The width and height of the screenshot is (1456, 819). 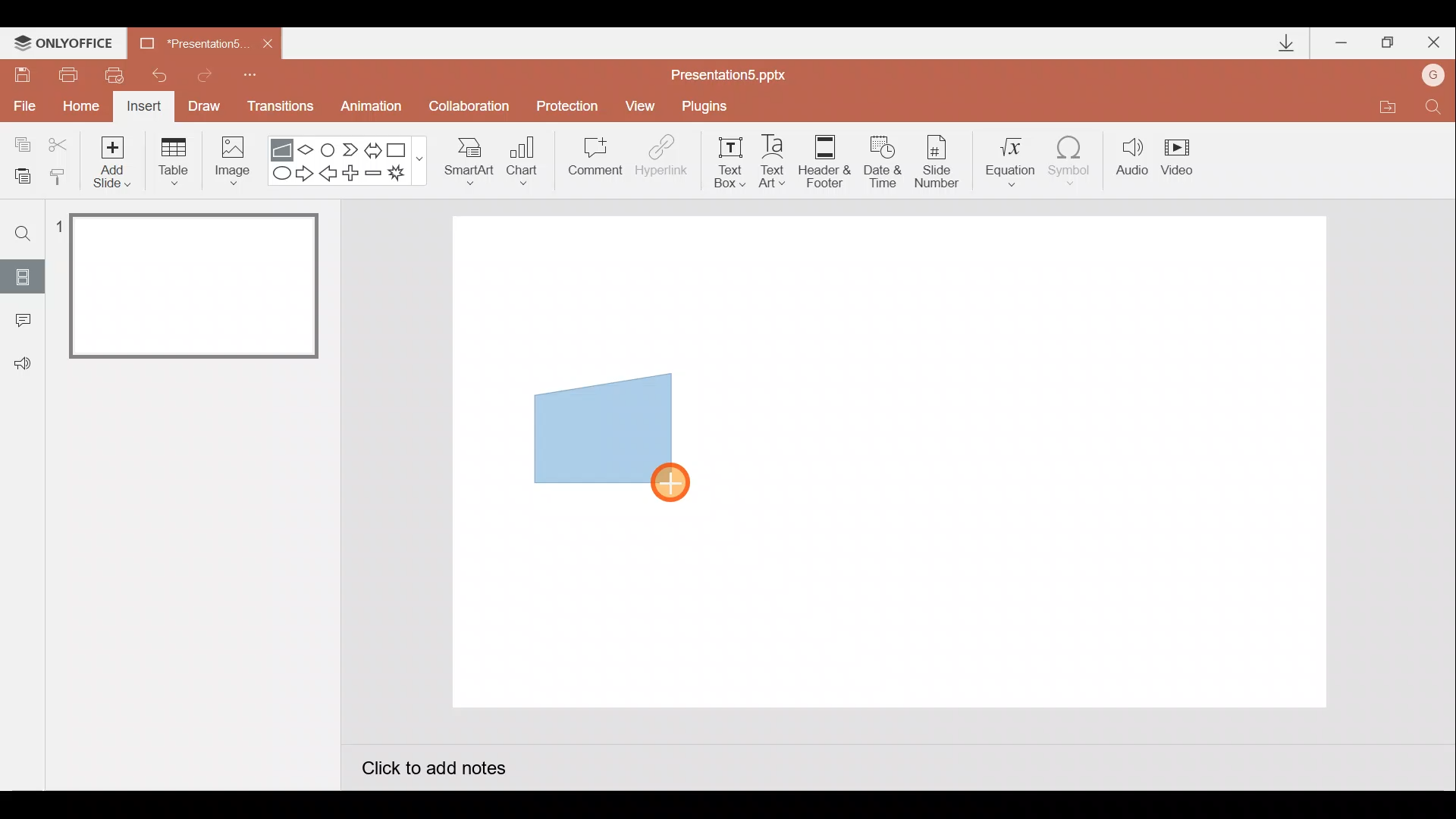 I want to click on Left right arrow, so click(x=375, y=147).